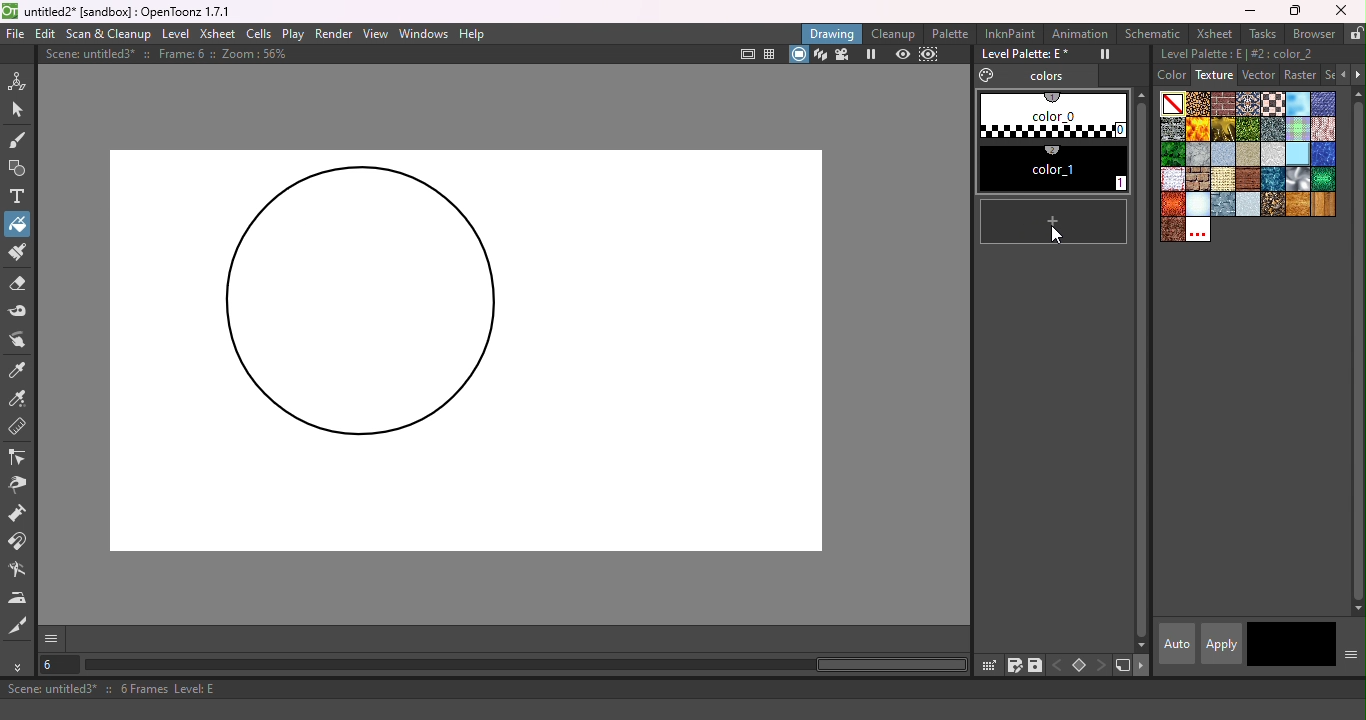 The width and height of the screenshot is (1366, 720). I want to click on Control point editor tool, so click(18, 456).